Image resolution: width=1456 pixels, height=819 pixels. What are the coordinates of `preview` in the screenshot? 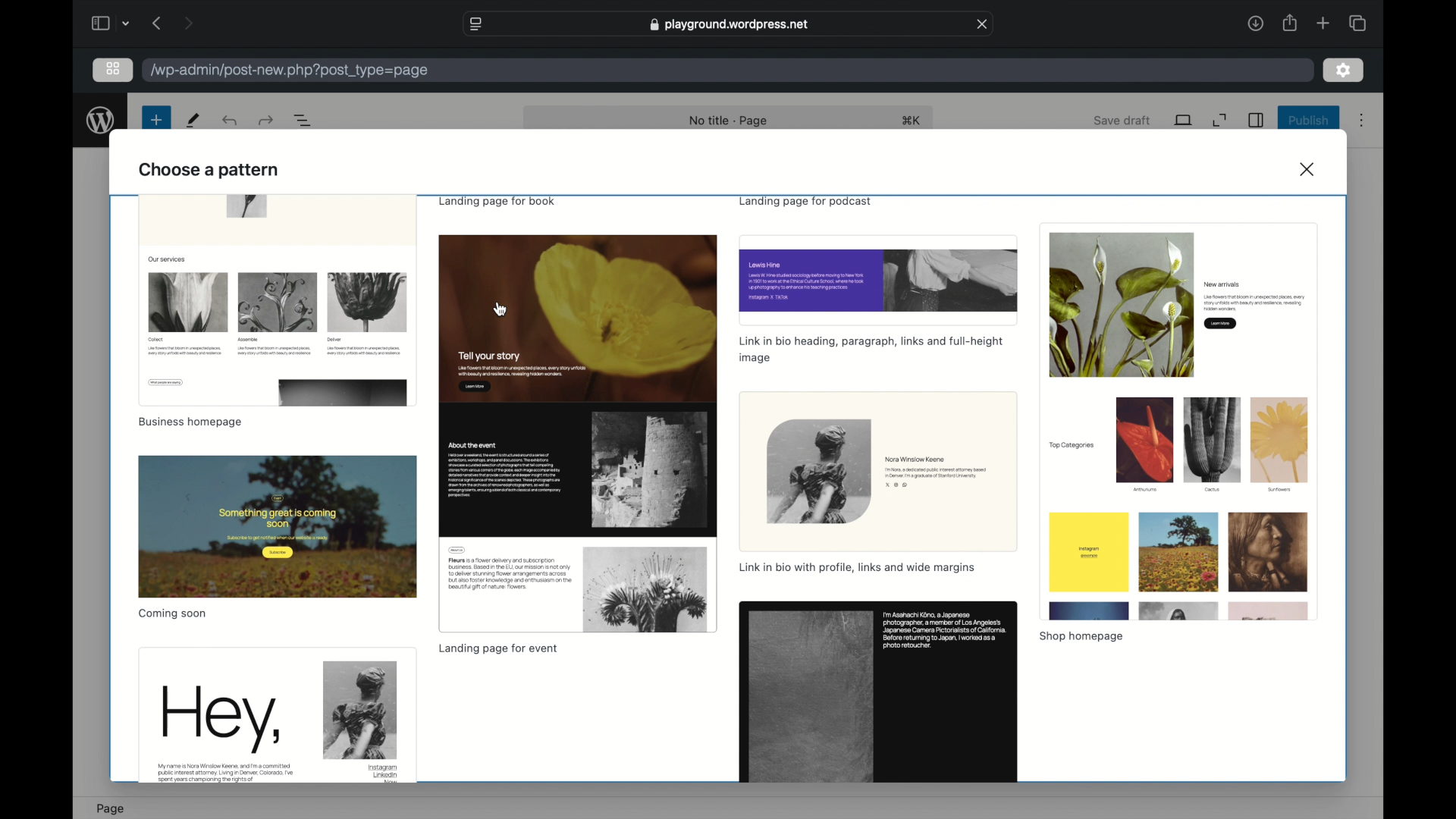 It's located at (879, 471).